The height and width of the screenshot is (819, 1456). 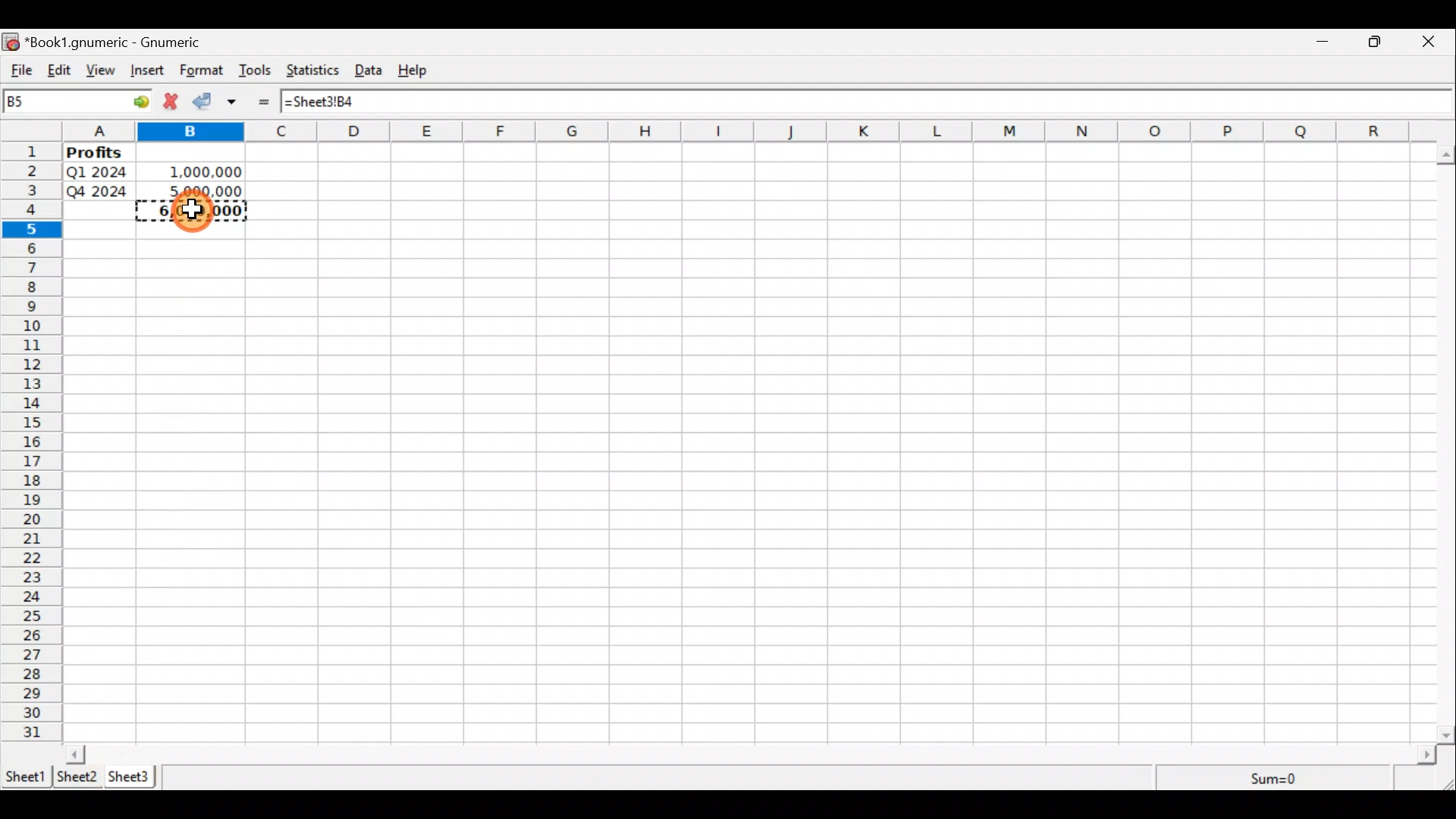 What do you see at coordinates (1447, 155) in the screenshot?
I see `scroll up` at bounding box center [1447, 155].